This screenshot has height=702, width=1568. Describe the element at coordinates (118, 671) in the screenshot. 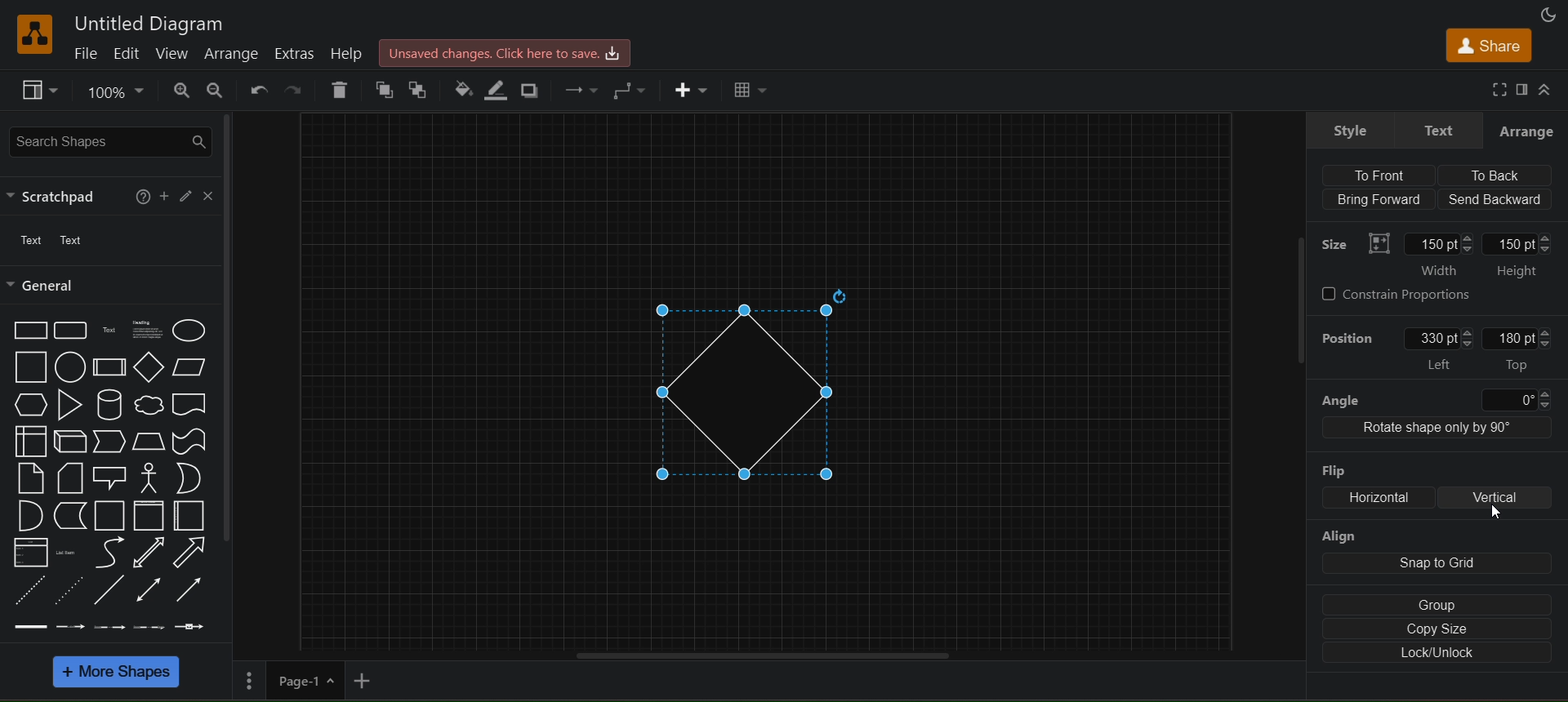

I see `more shapes` at that location.